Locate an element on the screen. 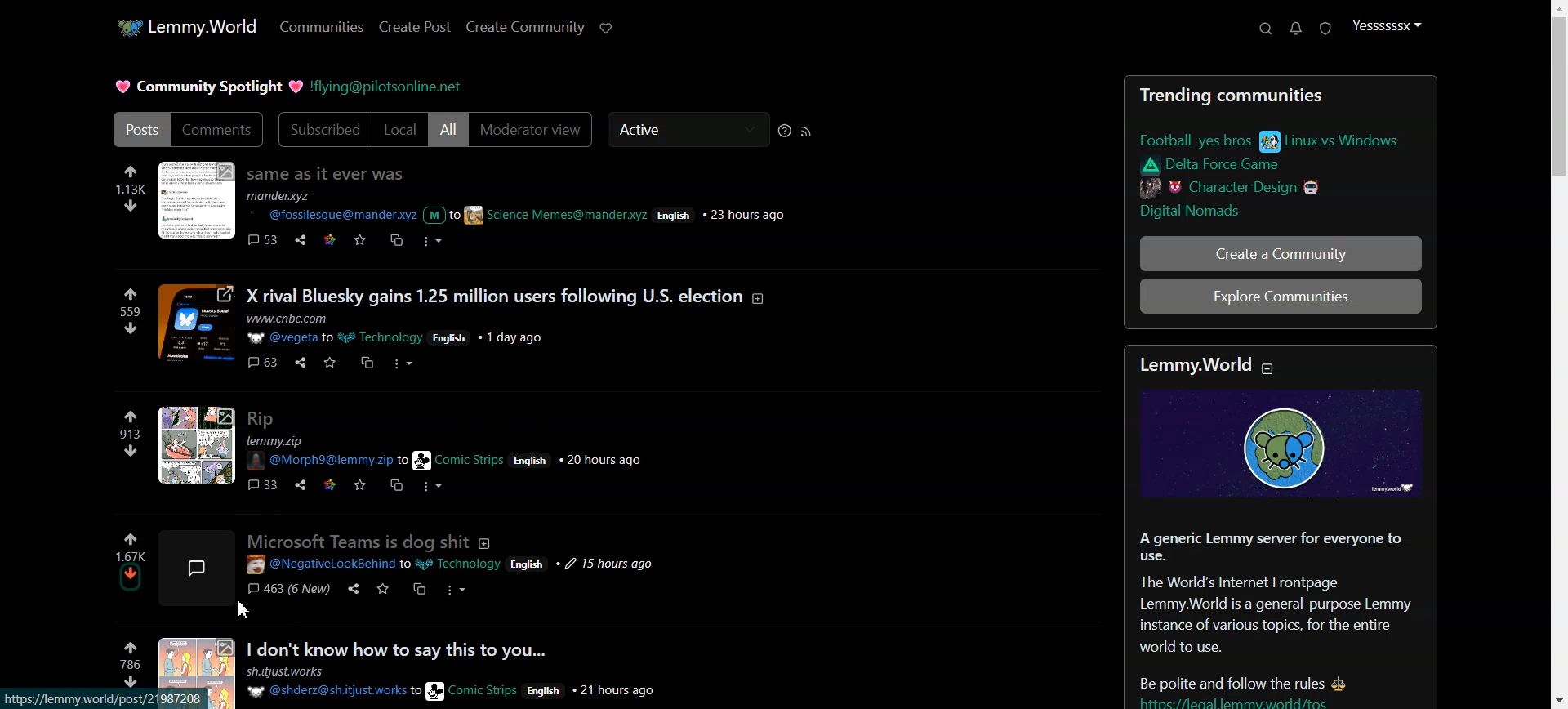 This screenshot has width=1568, height=709. Hyperlink is located at coordinates (452, 565).